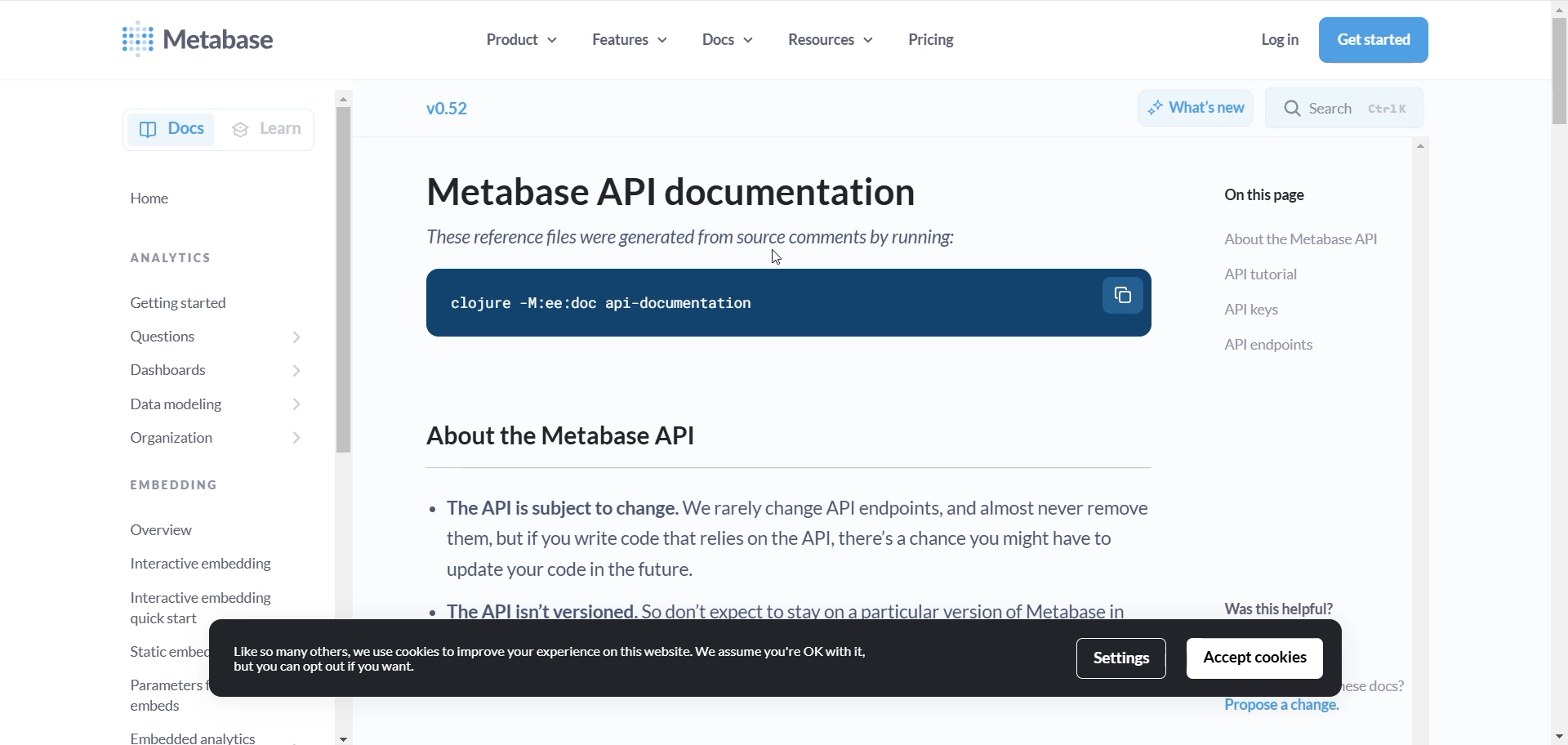 The height and width of the screenshot is (745, 1568). Describe the element at coordinates (277, 134) in the screenshot. I see `leanr` at that location.